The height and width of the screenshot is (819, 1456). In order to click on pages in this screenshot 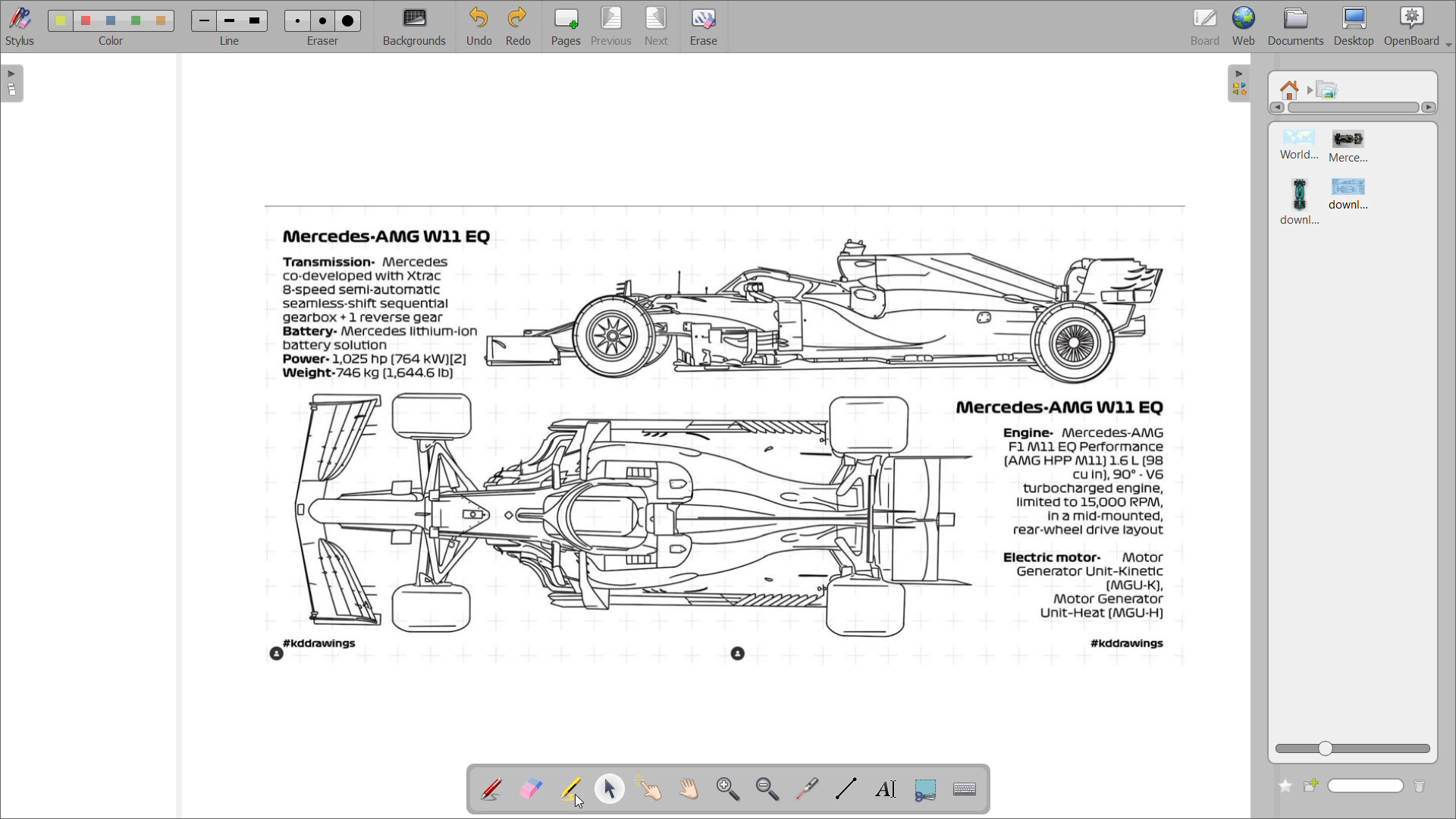, I will do `click(569, 24)`.